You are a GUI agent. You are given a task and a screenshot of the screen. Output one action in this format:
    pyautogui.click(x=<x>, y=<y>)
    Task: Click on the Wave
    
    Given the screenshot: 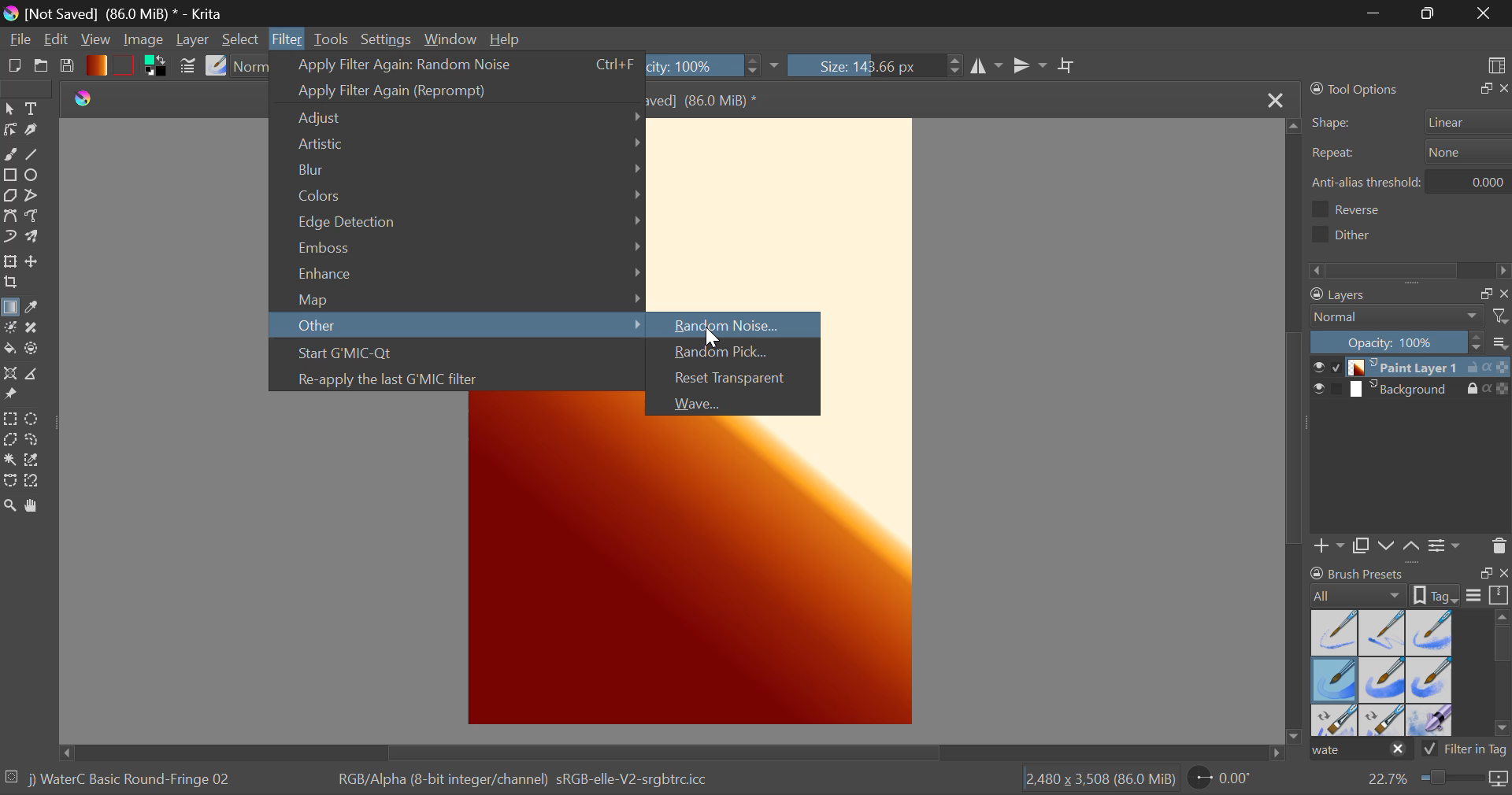 What is the action you would take?
    pyautogui.click(x=736, y=402)
    